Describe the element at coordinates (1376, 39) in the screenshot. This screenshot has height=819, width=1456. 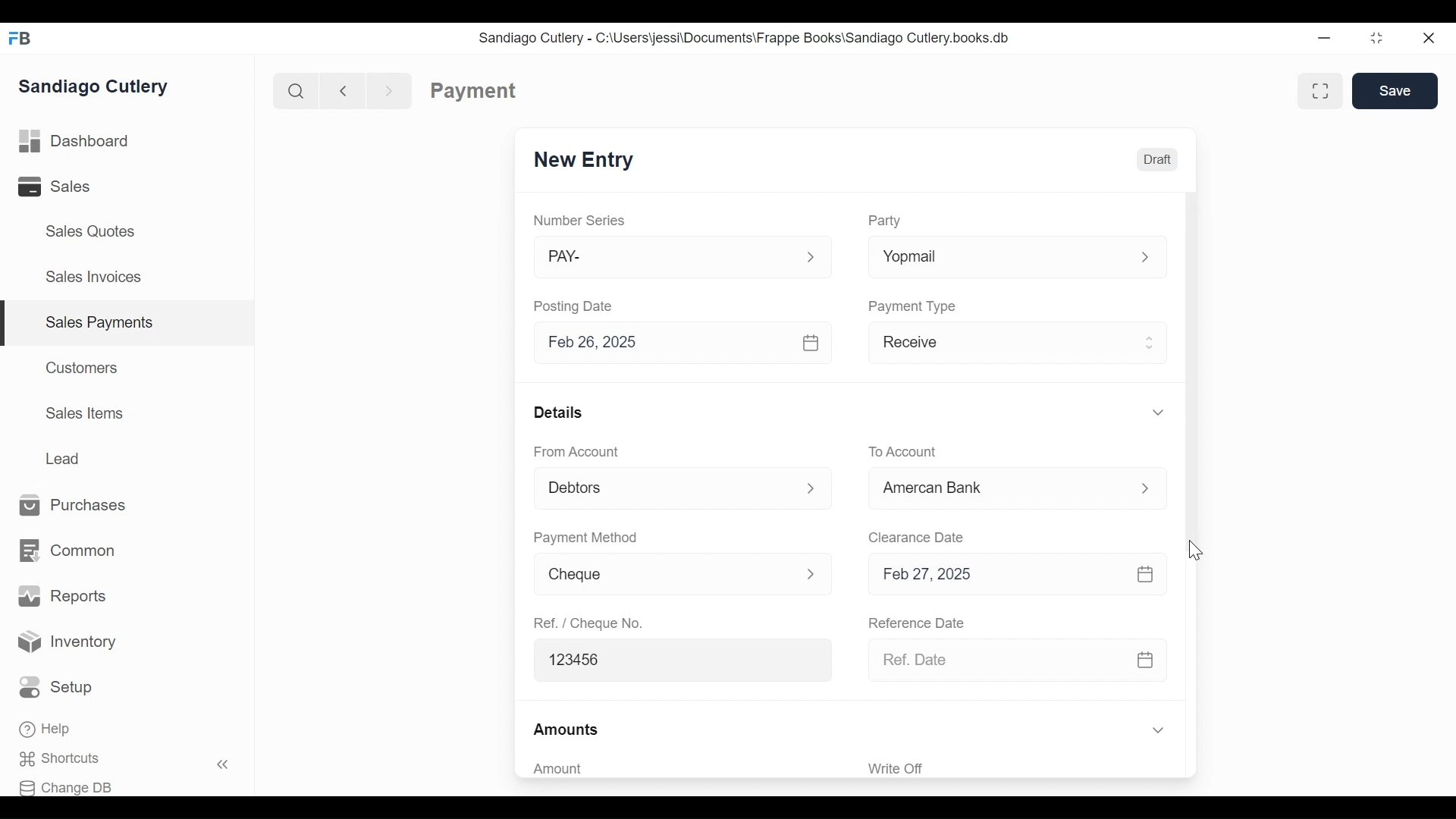
I see `Restore` at that location.